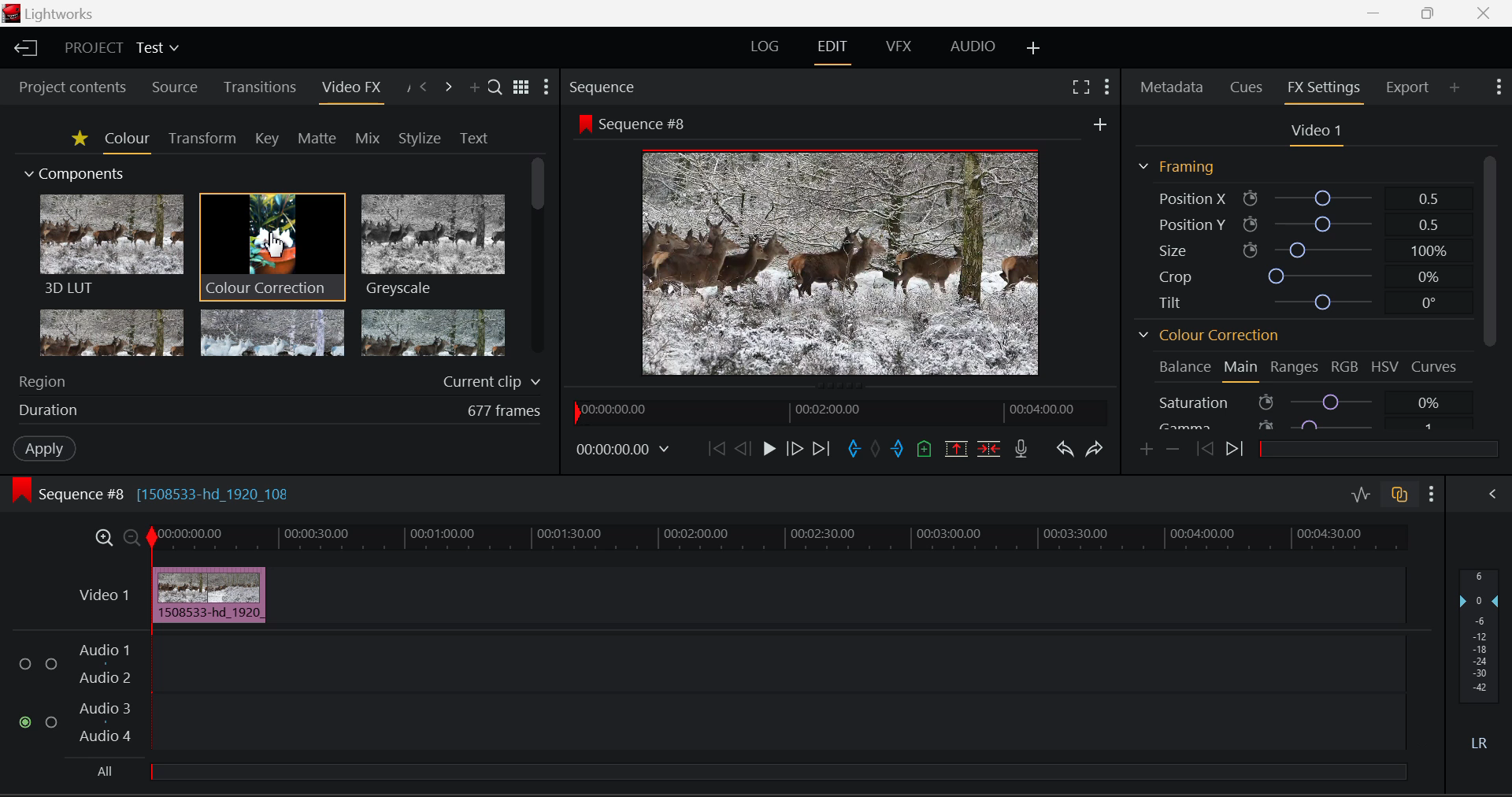  Describe the element at coordinates (1377, 13) in the screenshot. I see `Restore Down` at that location.